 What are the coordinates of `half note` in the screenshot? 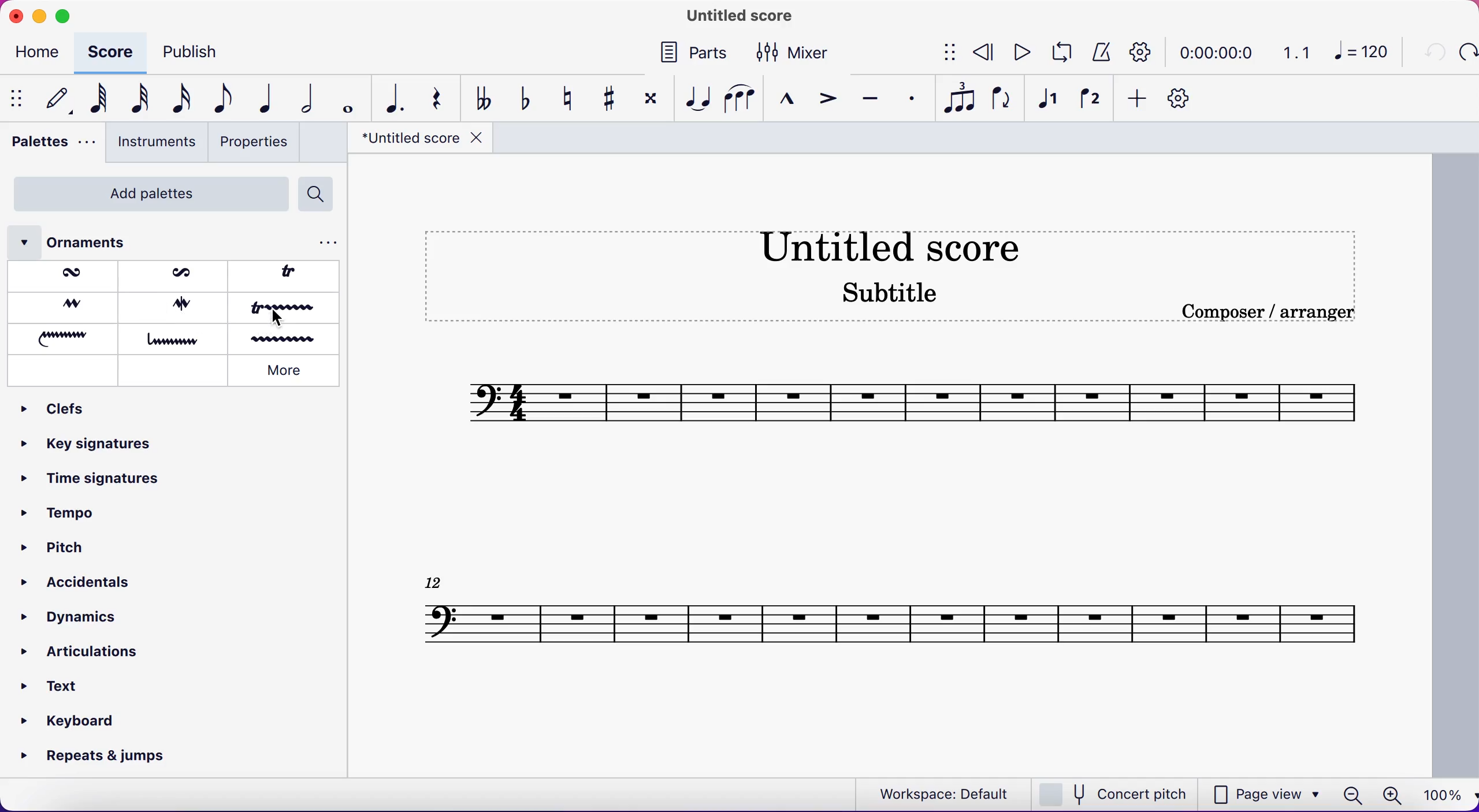 It's located at (302, 98).